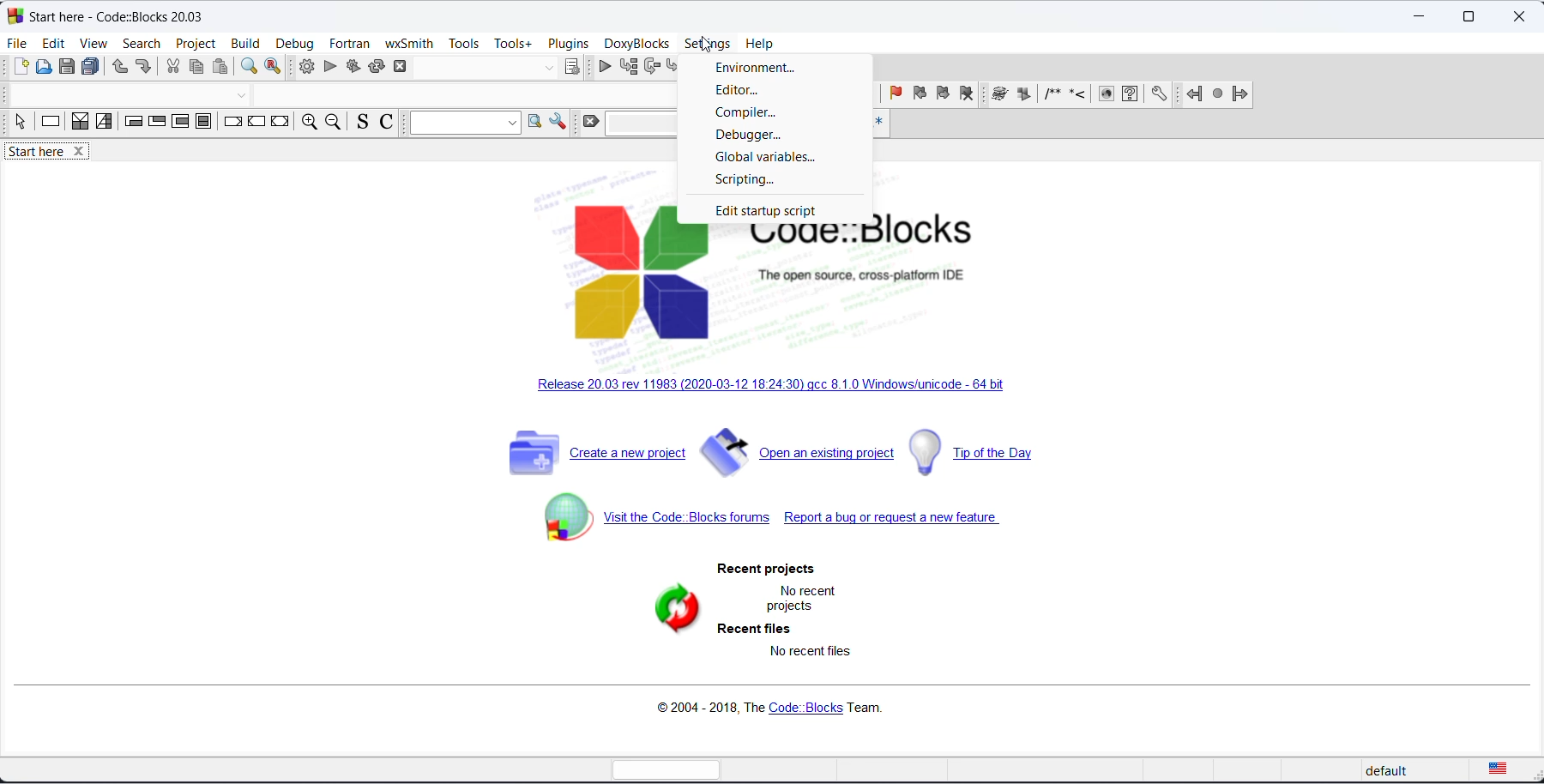 The height and width of the screenshot is (784, 1544). What do you see at coordinates (20, 67) in the screenshot?
I see `new file` at bounding box center [20, 67].